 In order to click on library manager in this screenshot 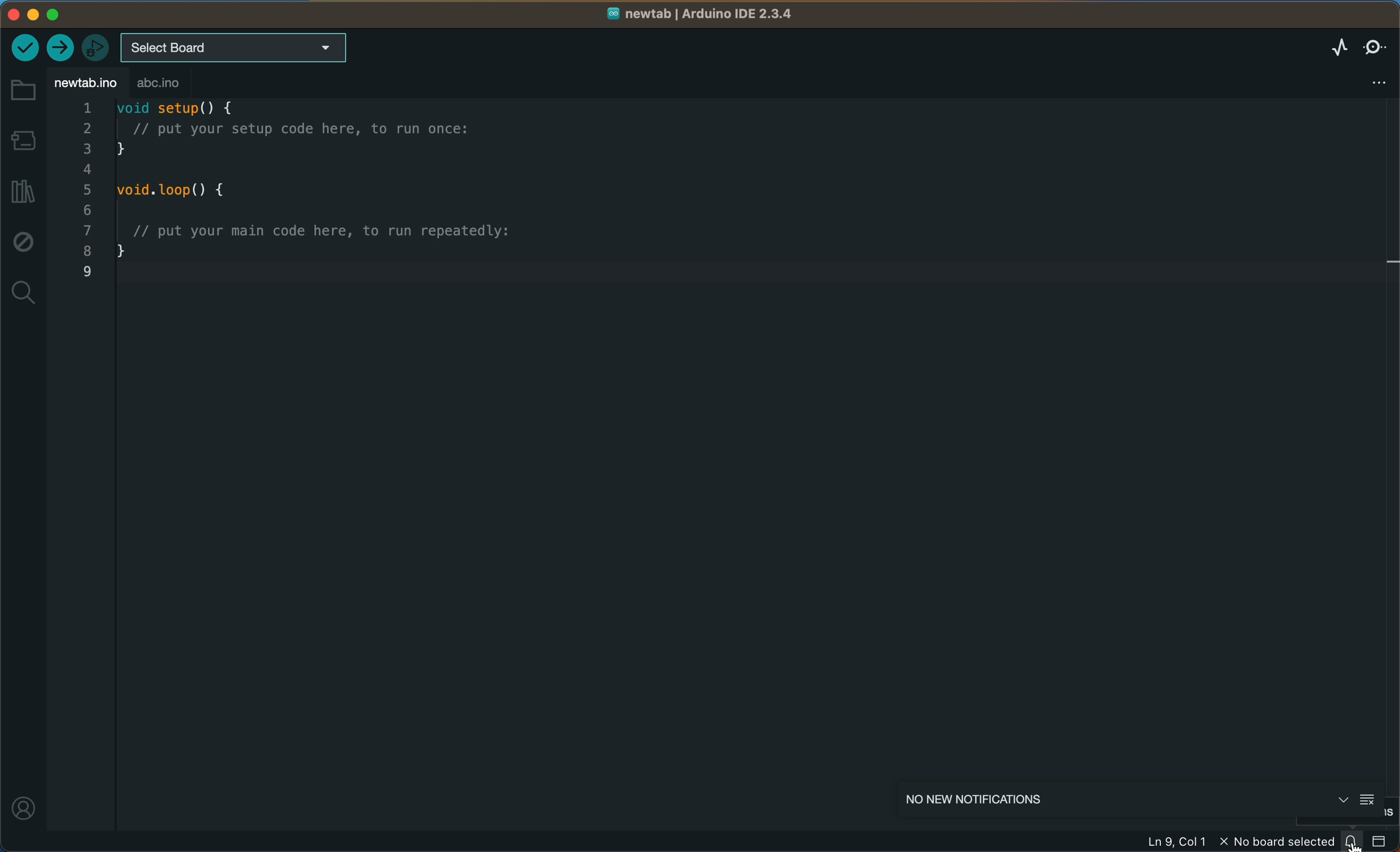, I will do `click(21, 190)`.